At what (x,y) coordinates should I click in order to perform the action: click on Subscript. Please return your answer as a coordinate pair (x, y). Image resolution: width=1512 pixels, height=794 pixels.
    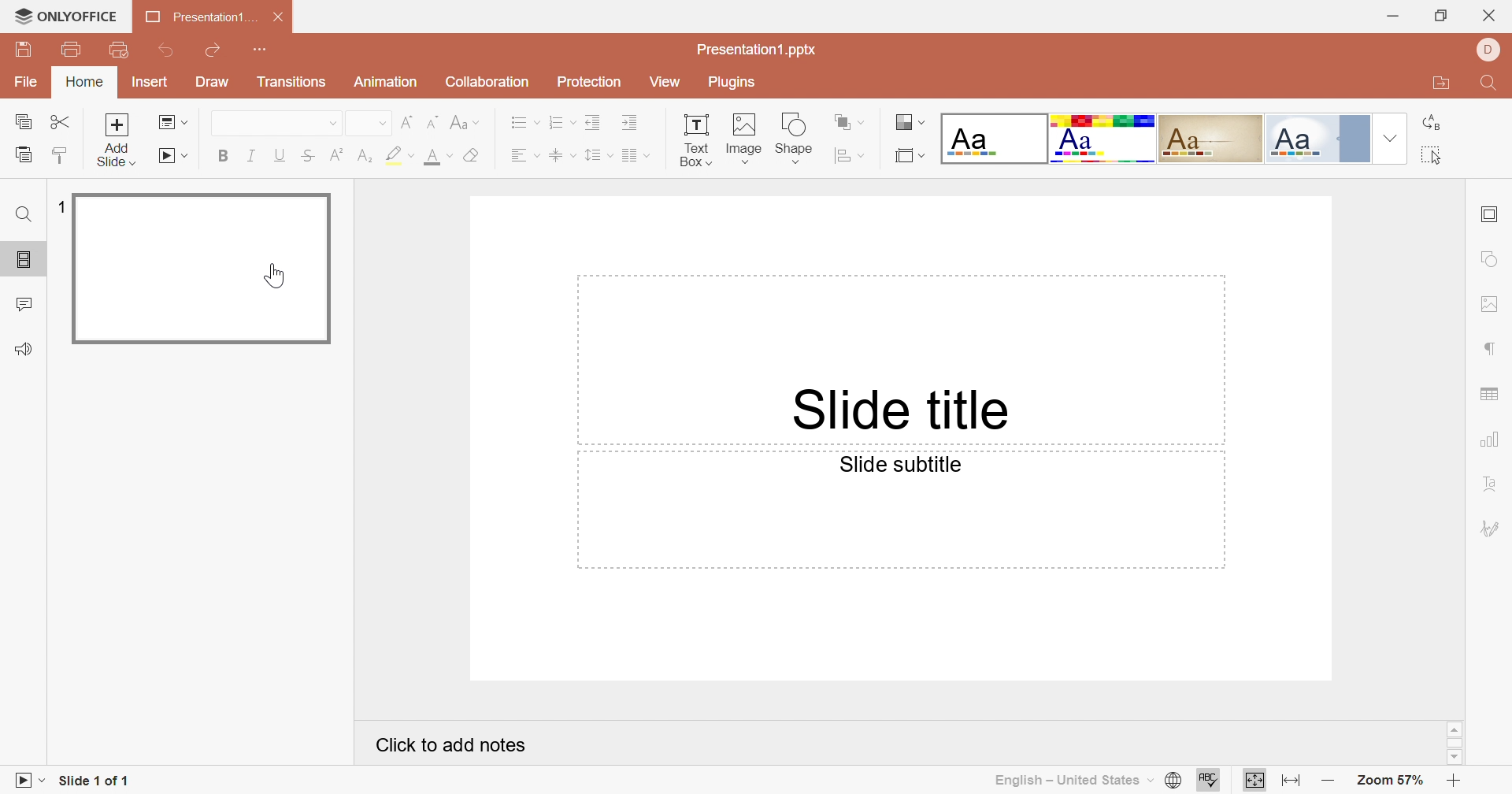
    Looking at the image, I should click on (364, 155).